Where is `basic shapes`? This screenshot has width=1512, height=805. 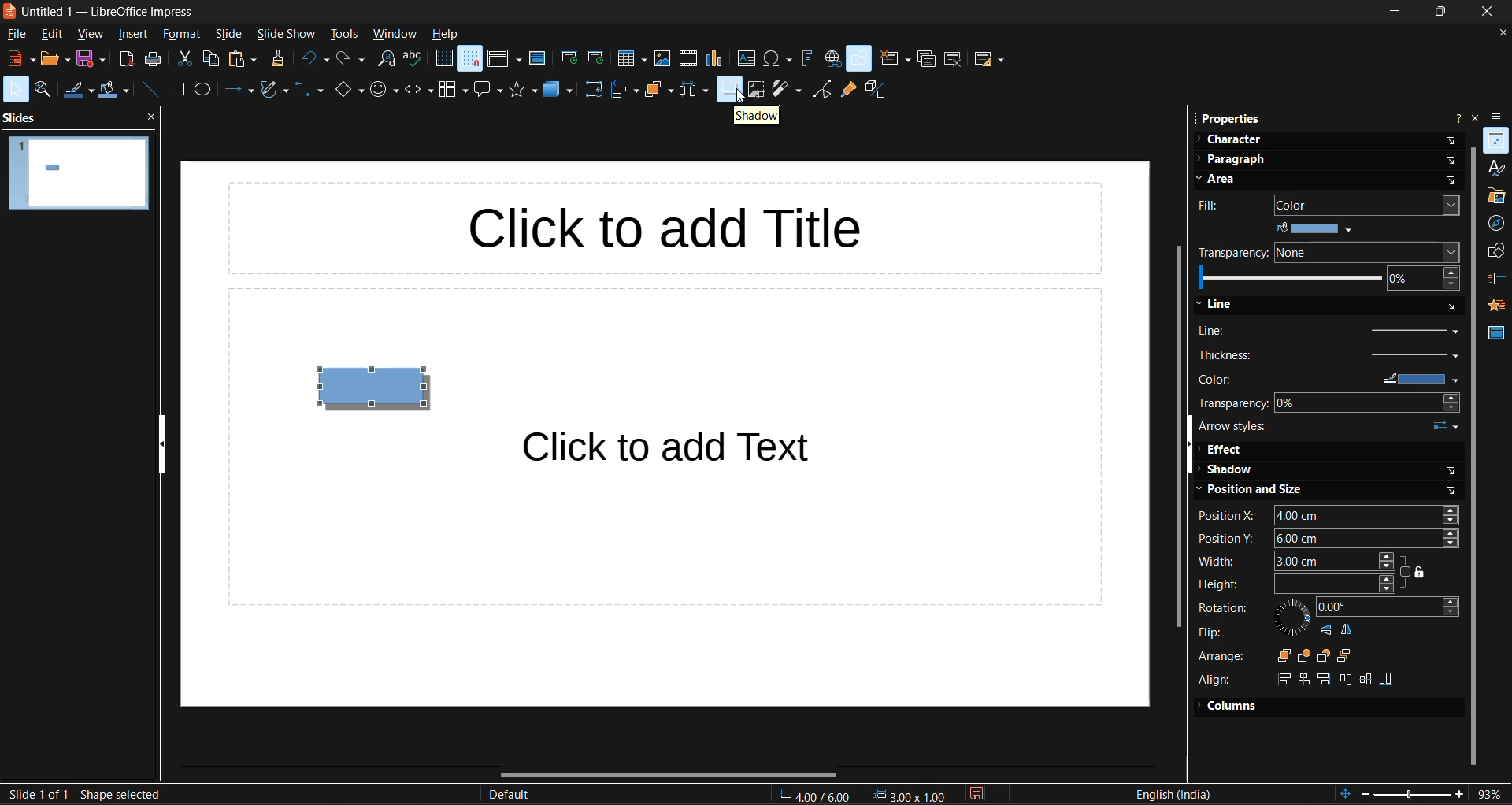 basic shapes is located at coordinates (346, 91).